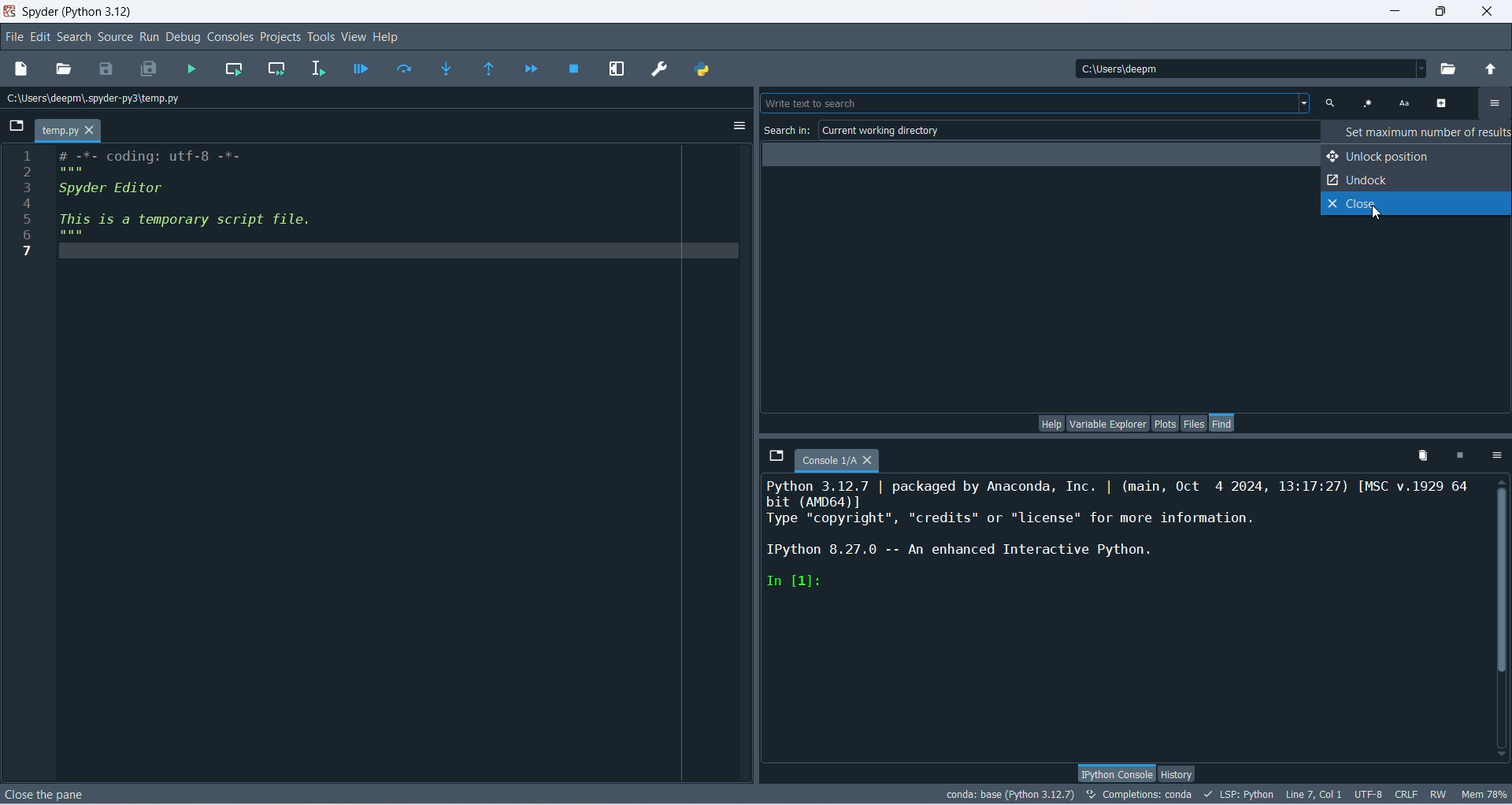 The width and height of the screenshot is (1512, 805). What do you see at coordinates (1458, 458) in the screenshot?
I see `interrupt kernel` at bounding box center [1458, 458].